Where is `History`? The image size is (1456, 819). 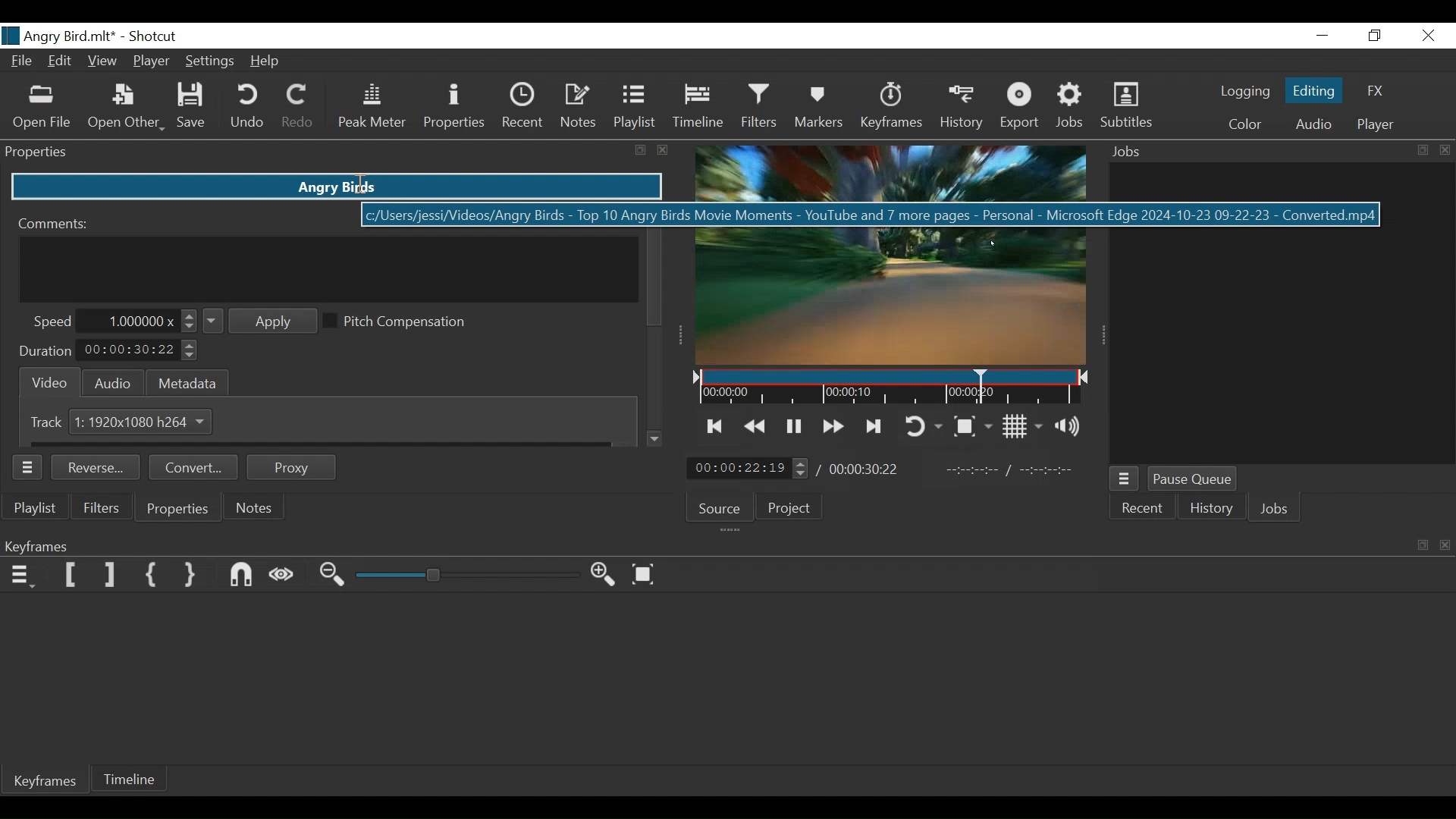 History is located at coordinates (1213, 509).